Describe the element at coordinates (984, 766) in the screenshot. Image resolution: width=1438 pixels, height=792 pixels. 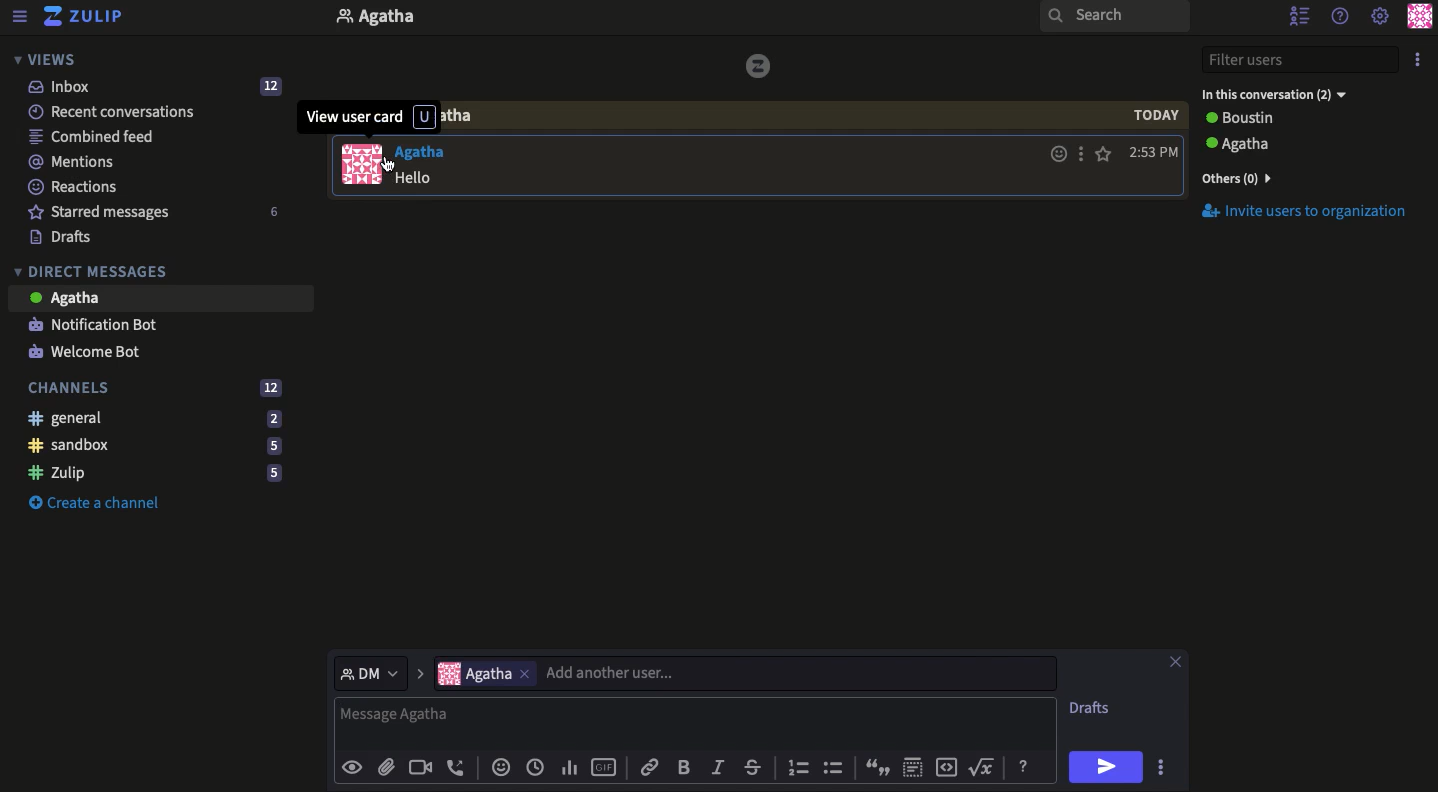
I see `Square root` at that location.